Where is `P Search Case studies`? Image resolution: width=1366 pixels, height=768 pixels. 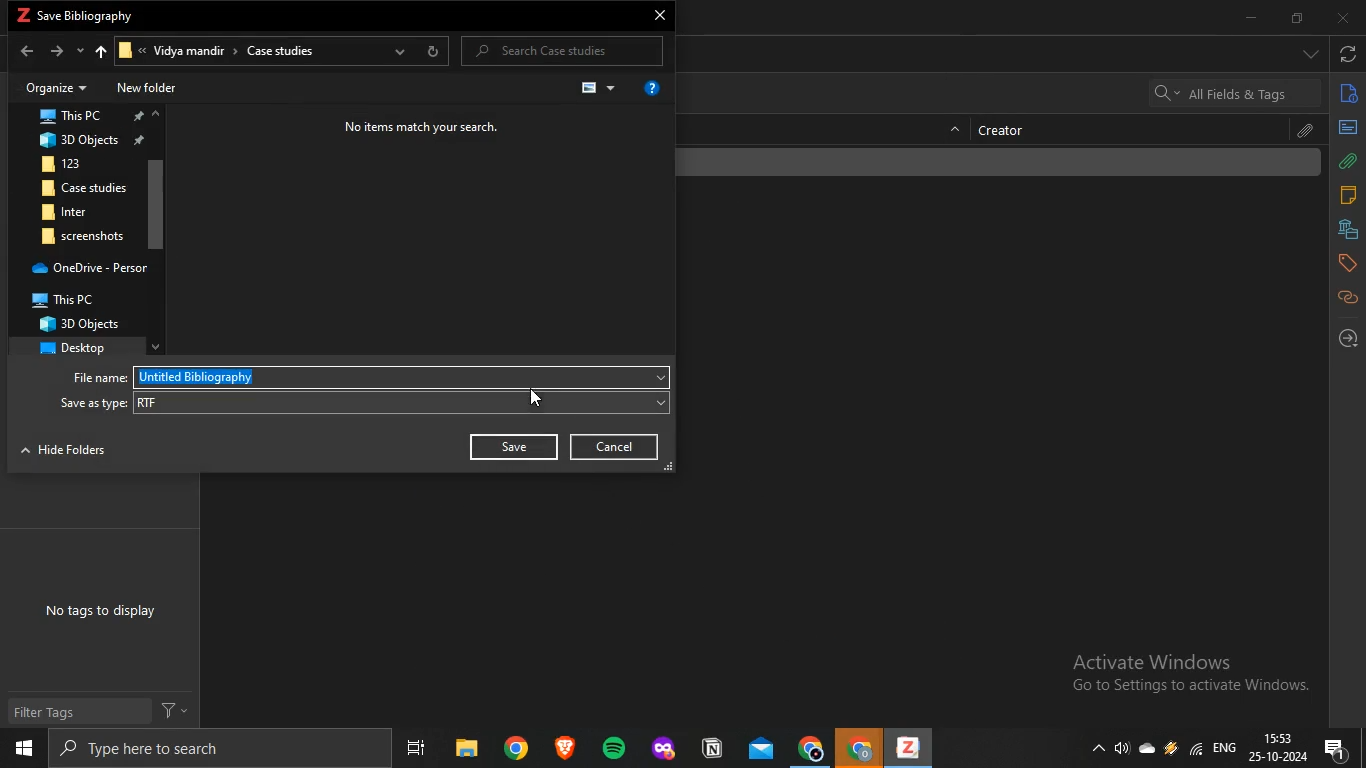
P Search Case studies is located at coordinates (565, 50).